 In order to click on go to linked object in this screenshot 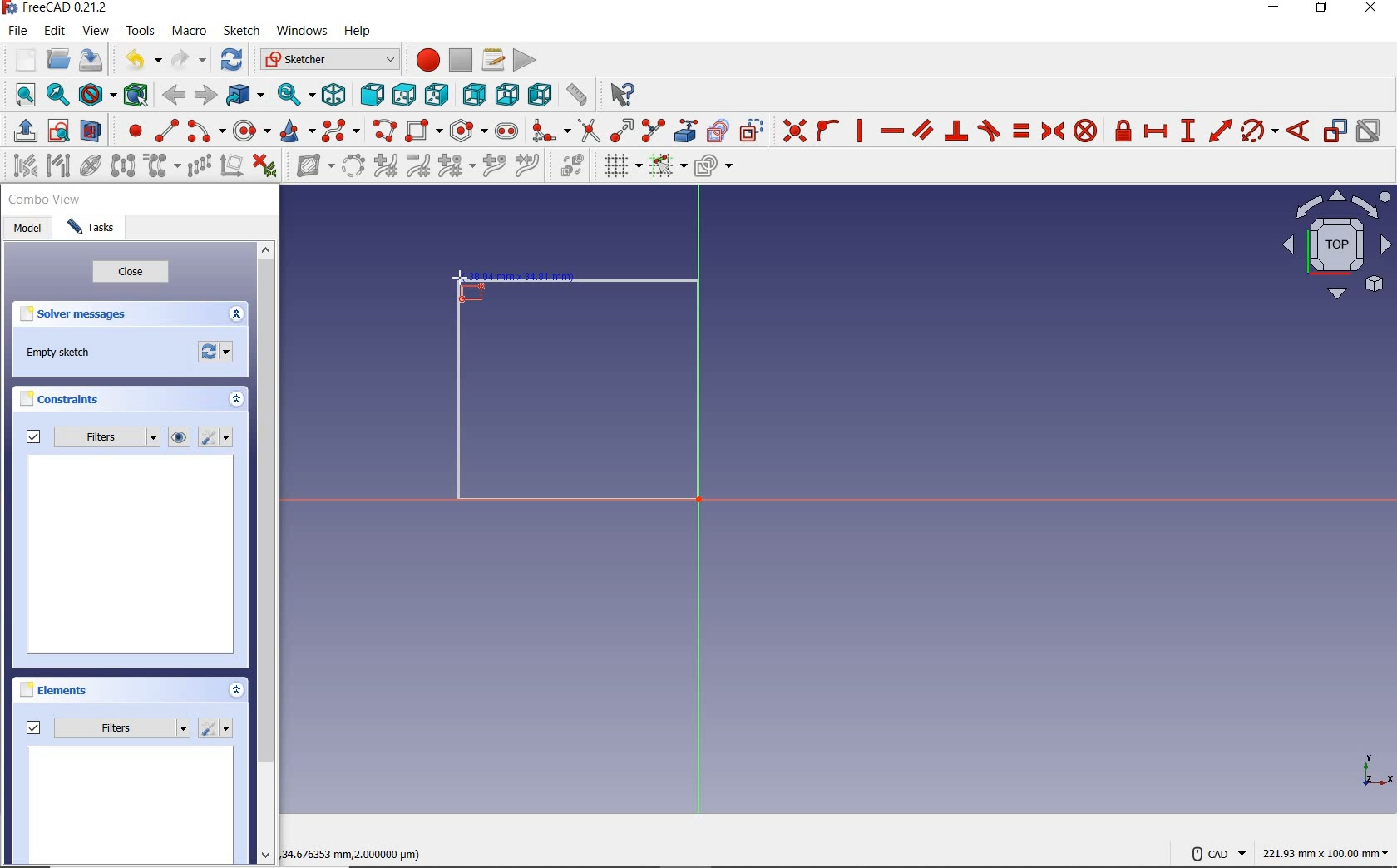, I will do `click(244, 96)`.